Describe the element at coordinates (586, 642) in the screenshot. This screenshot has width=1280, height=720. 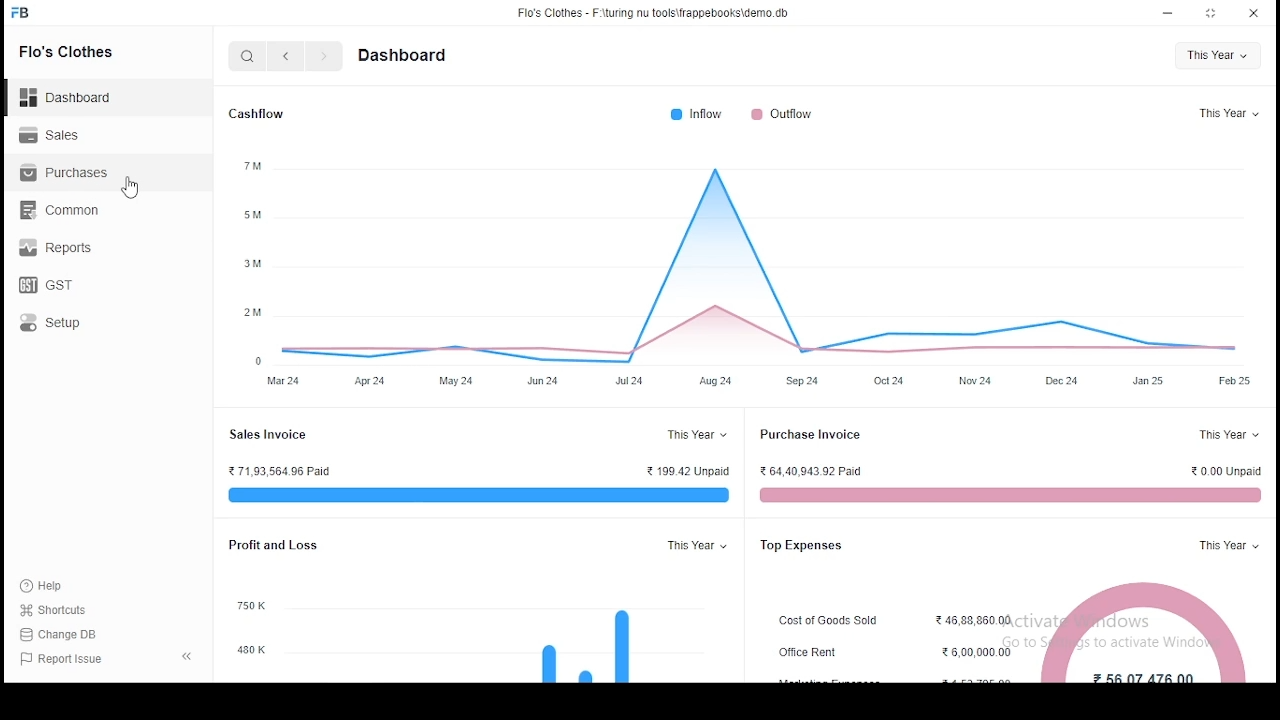
I see `graph` at that location.